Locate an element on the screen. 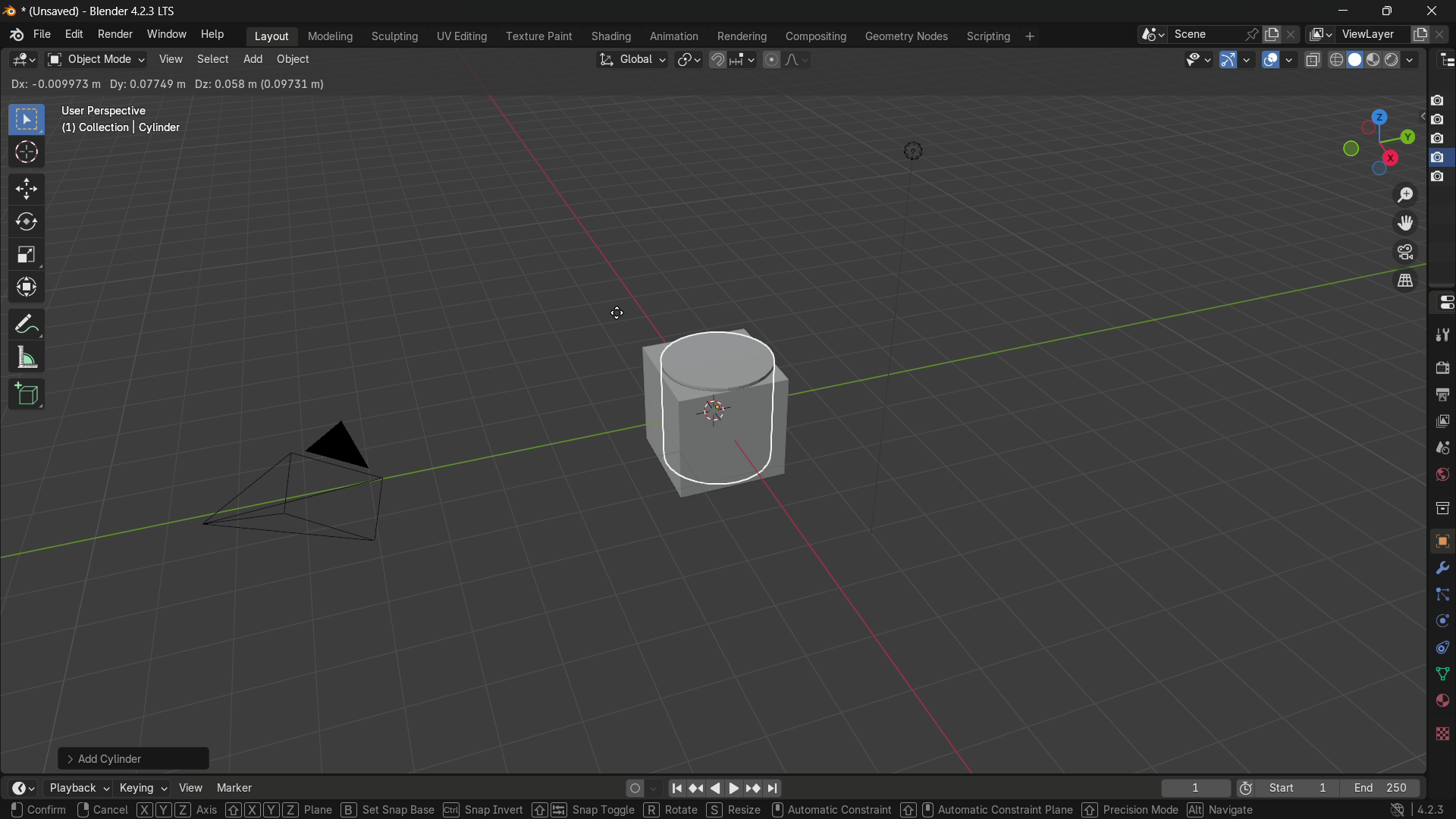 This screenshot has height=819, width=1456. add workplace is located at coordinates (1030, 37).